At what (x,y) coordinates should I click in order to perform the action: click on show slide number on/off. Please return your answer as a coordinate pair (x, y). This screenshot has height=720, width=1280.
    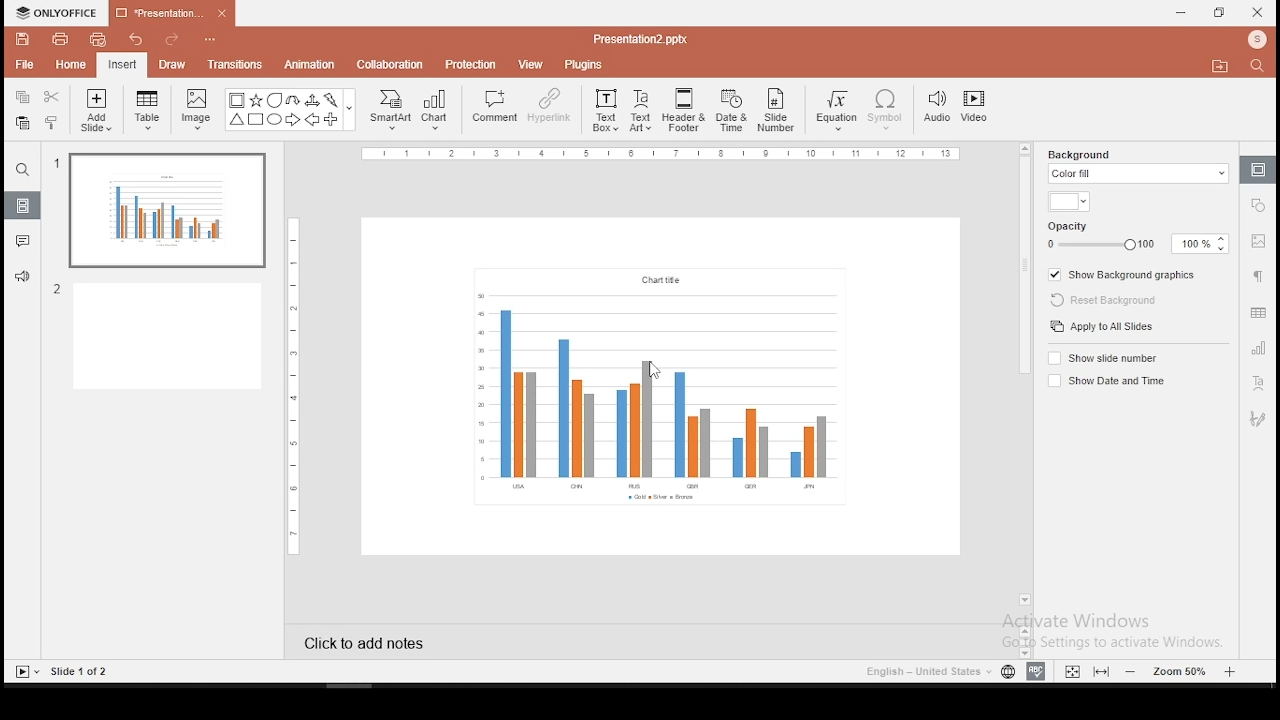
    Looking at the image, I should click on (1102, 357).